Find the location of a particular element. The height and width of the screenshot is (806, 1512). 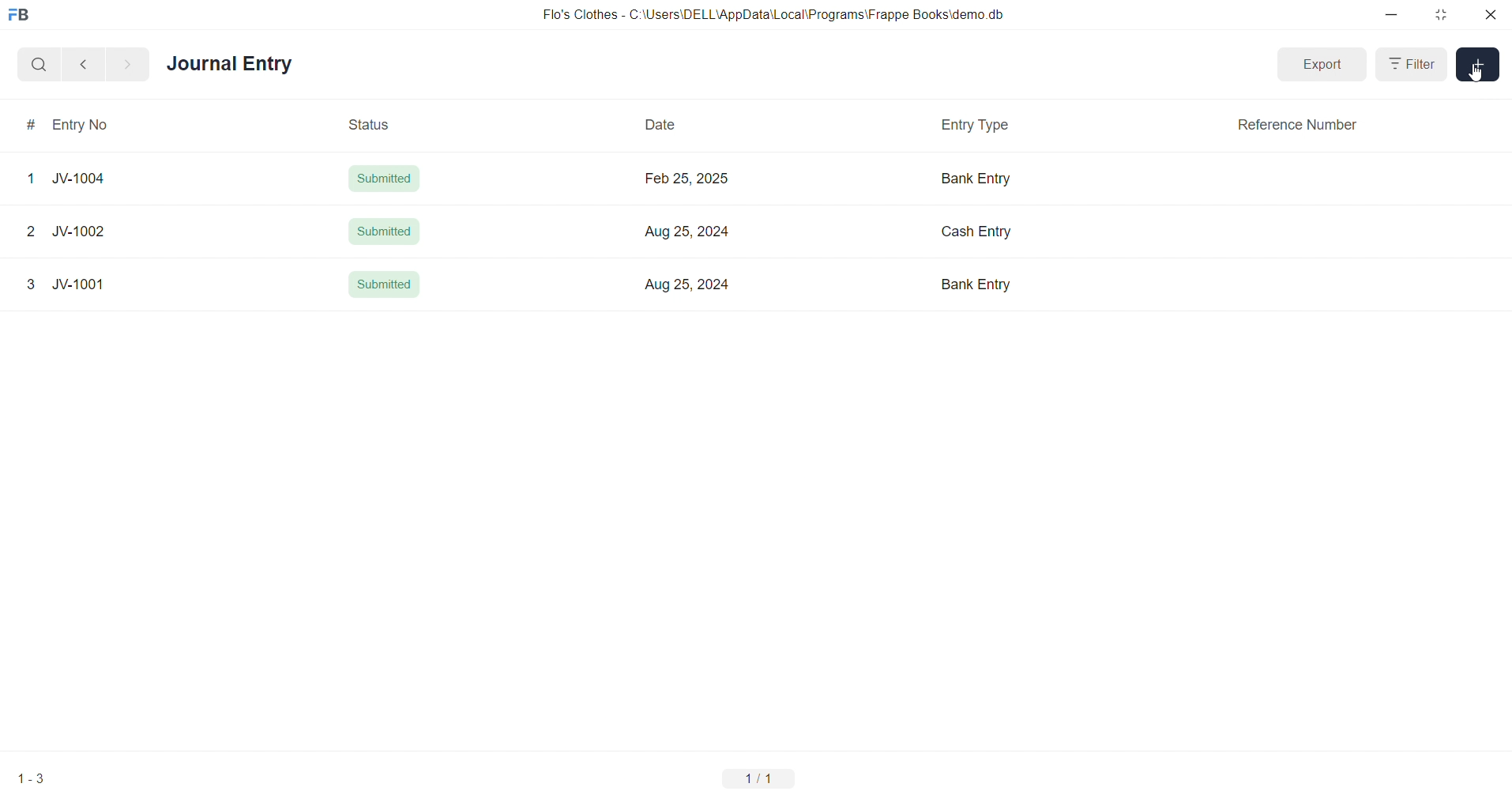

search is located at coordinates (37, 62).